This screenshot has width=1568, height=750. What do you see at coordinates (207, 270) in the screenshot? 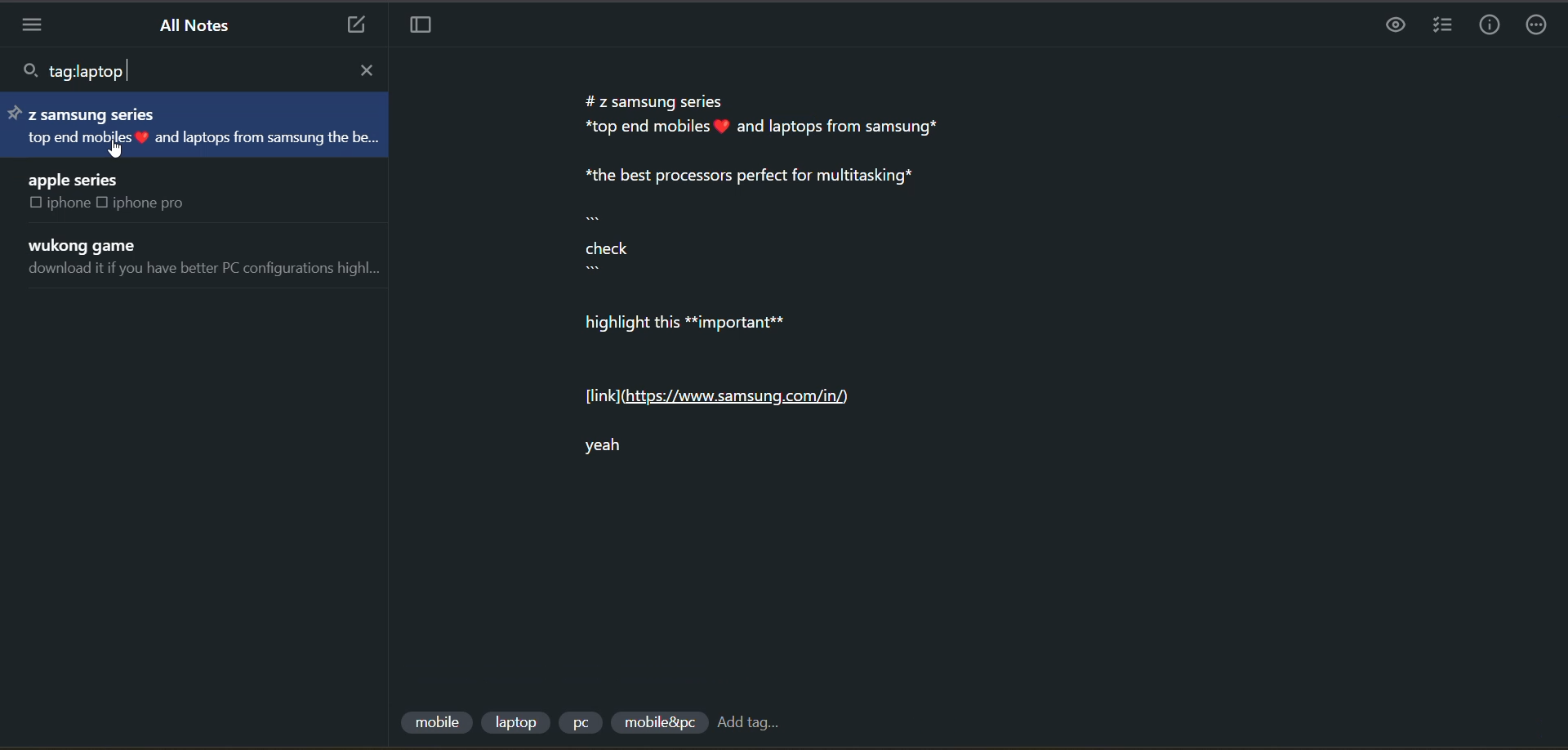
I see `download it if you have better PC configurations highl...` at bounding box center [207, 270].